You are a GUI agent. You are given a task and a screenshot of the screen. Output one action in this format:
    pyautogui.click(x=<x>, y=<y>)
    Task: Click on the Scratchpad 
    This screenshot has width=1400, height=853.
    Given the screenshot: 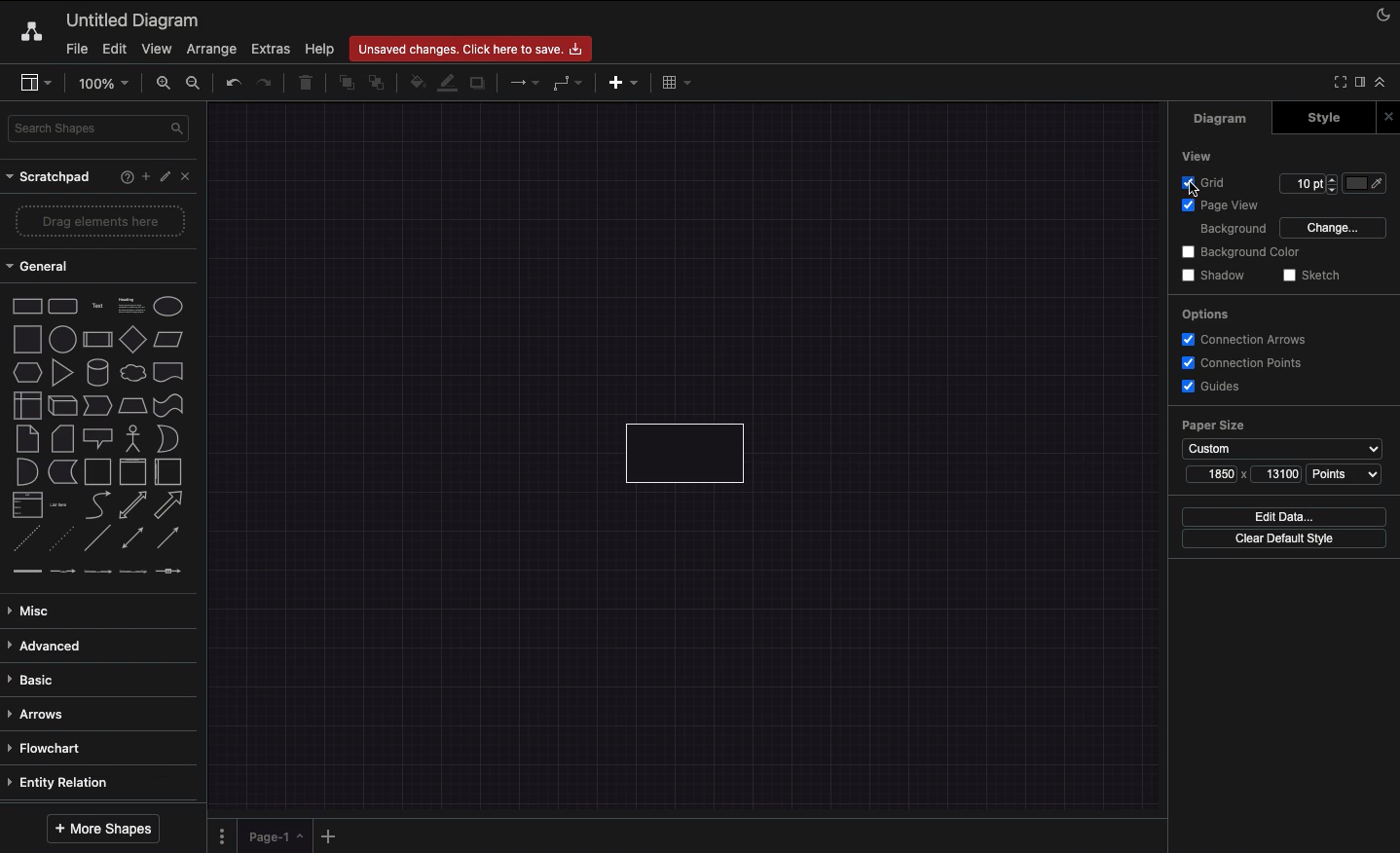 What is the action you would take?
    pyautogui.click(x=48, y=178)
    